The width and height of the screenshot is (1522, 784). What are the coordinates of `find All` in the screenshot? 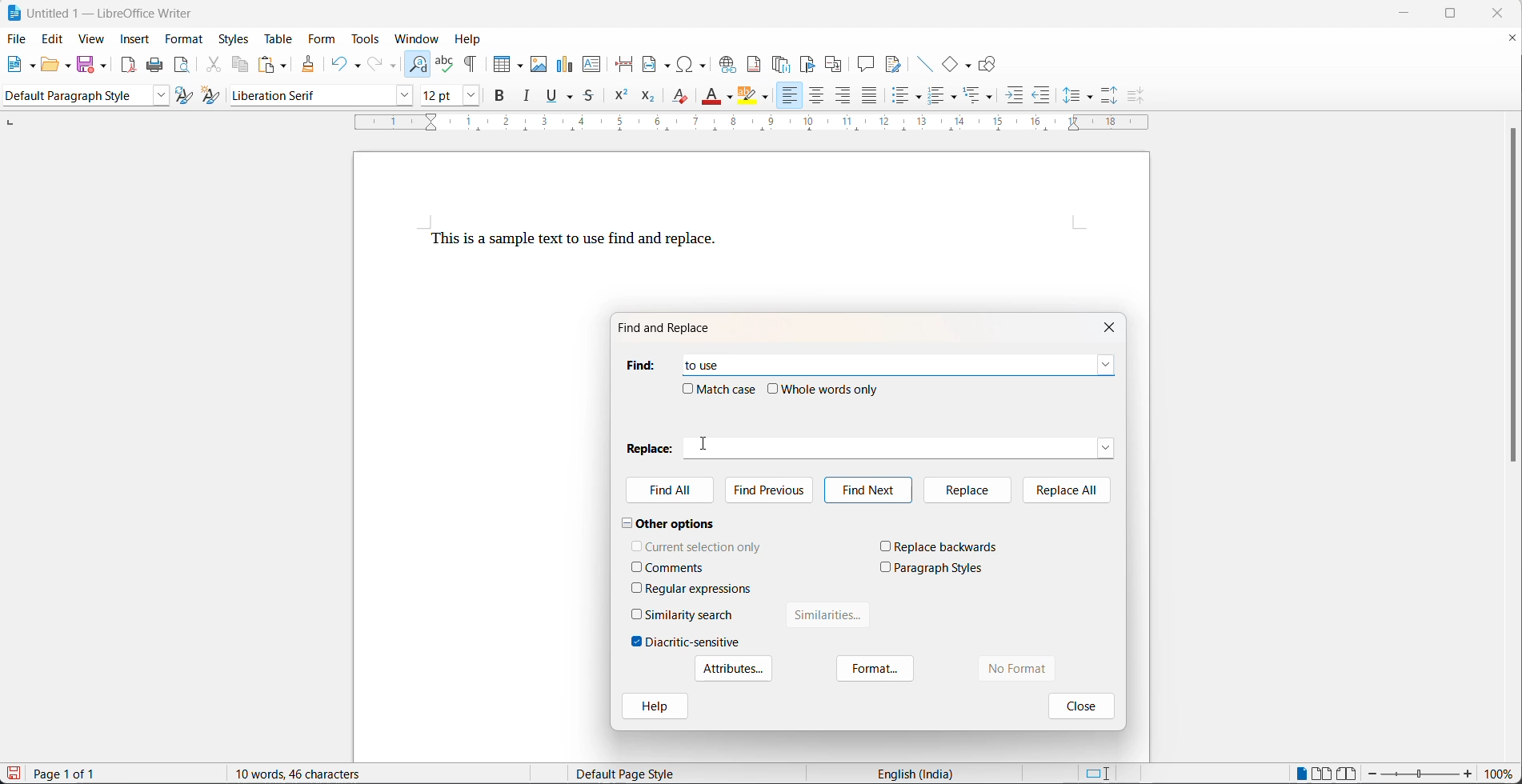 It's located at (671, 492).